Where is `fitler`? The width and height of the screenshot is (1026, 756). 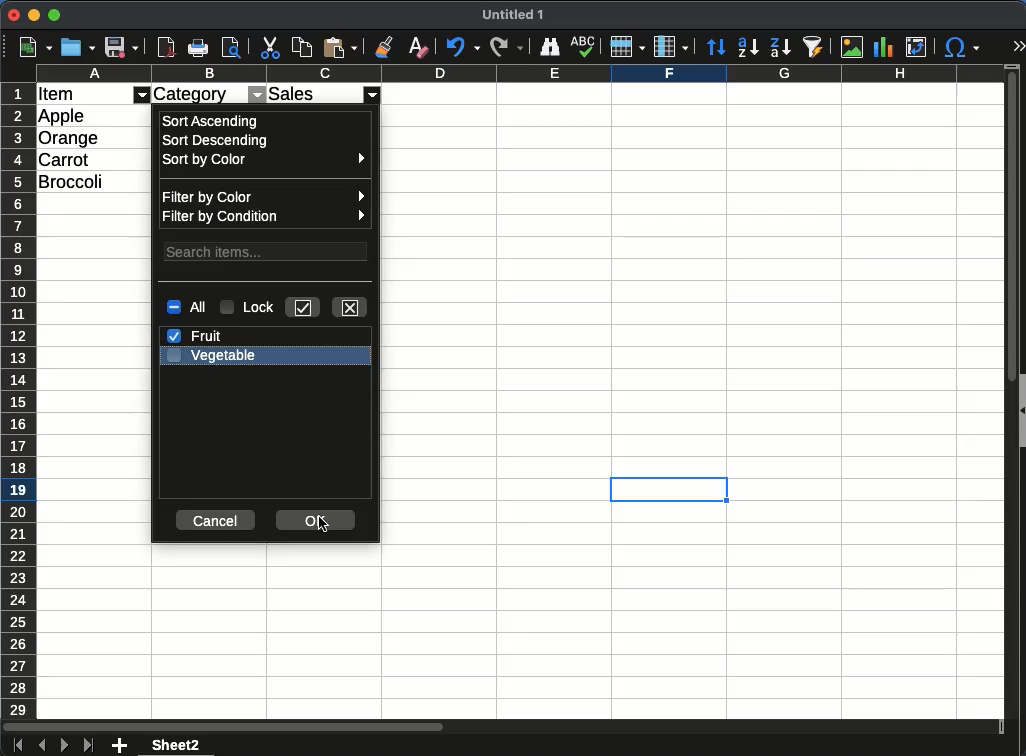
fitler is located at coordinates (374, 94).